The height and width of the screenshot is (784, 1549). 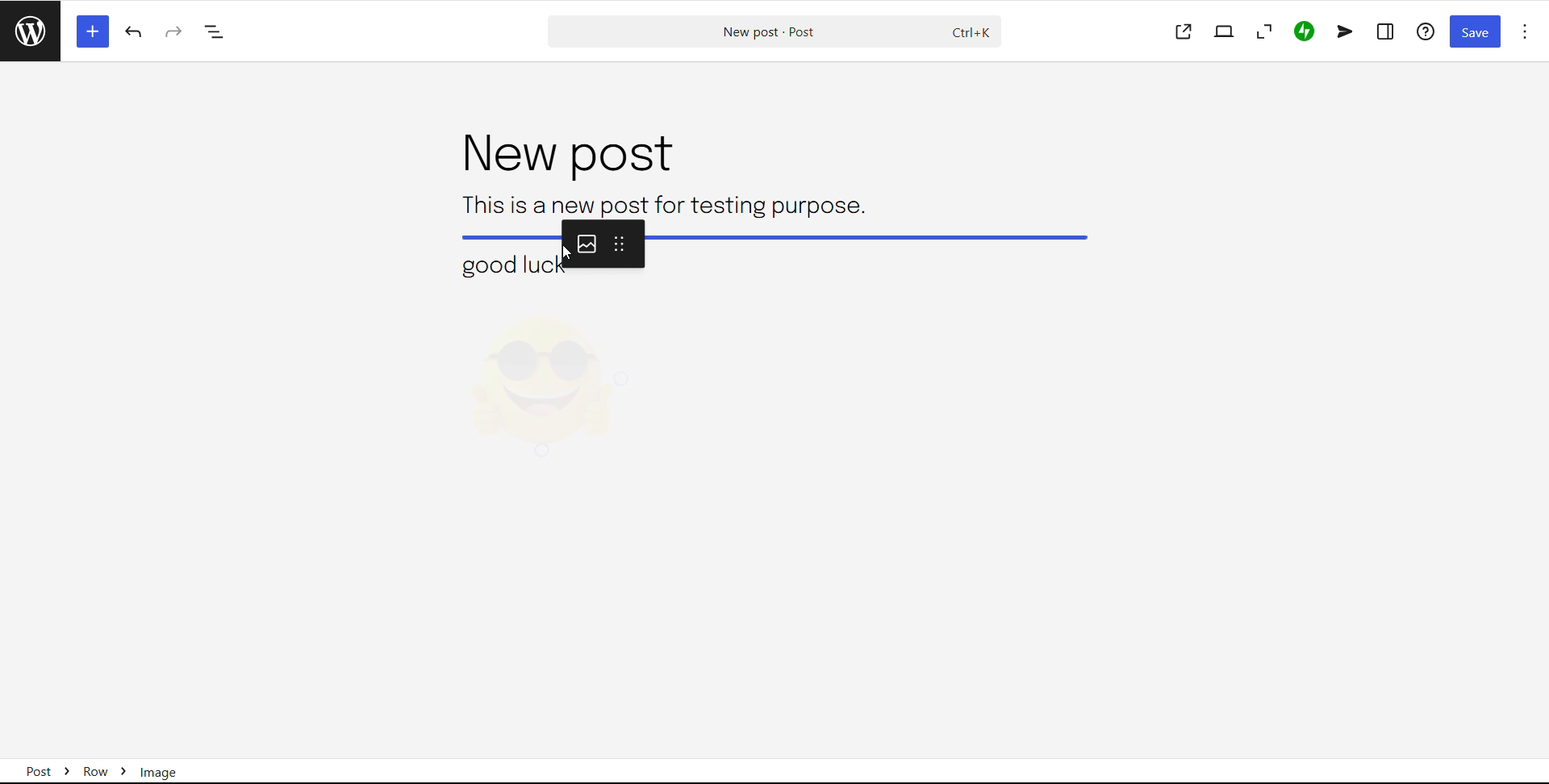 I want to click on save, so click(x=1475, y=32).